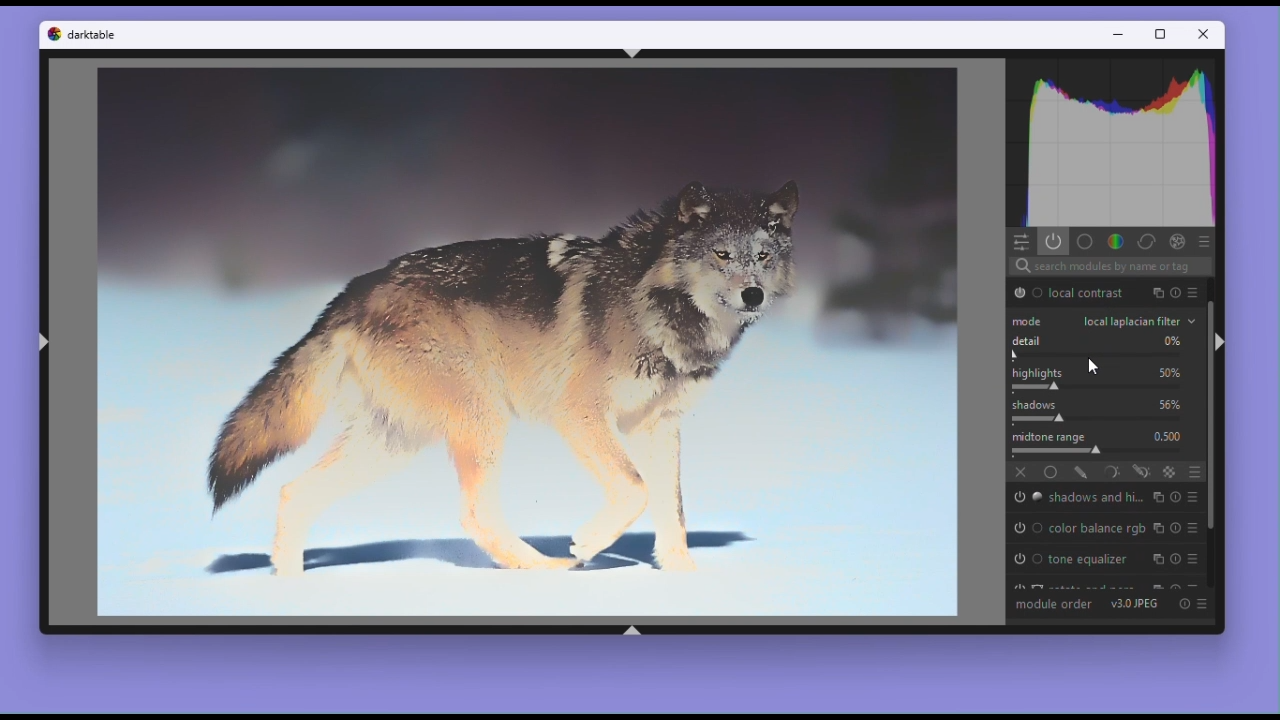 Image resolution: width=1280 pixels, height=720 pixels. I want to click on Uniformly, so click(1052, 473).